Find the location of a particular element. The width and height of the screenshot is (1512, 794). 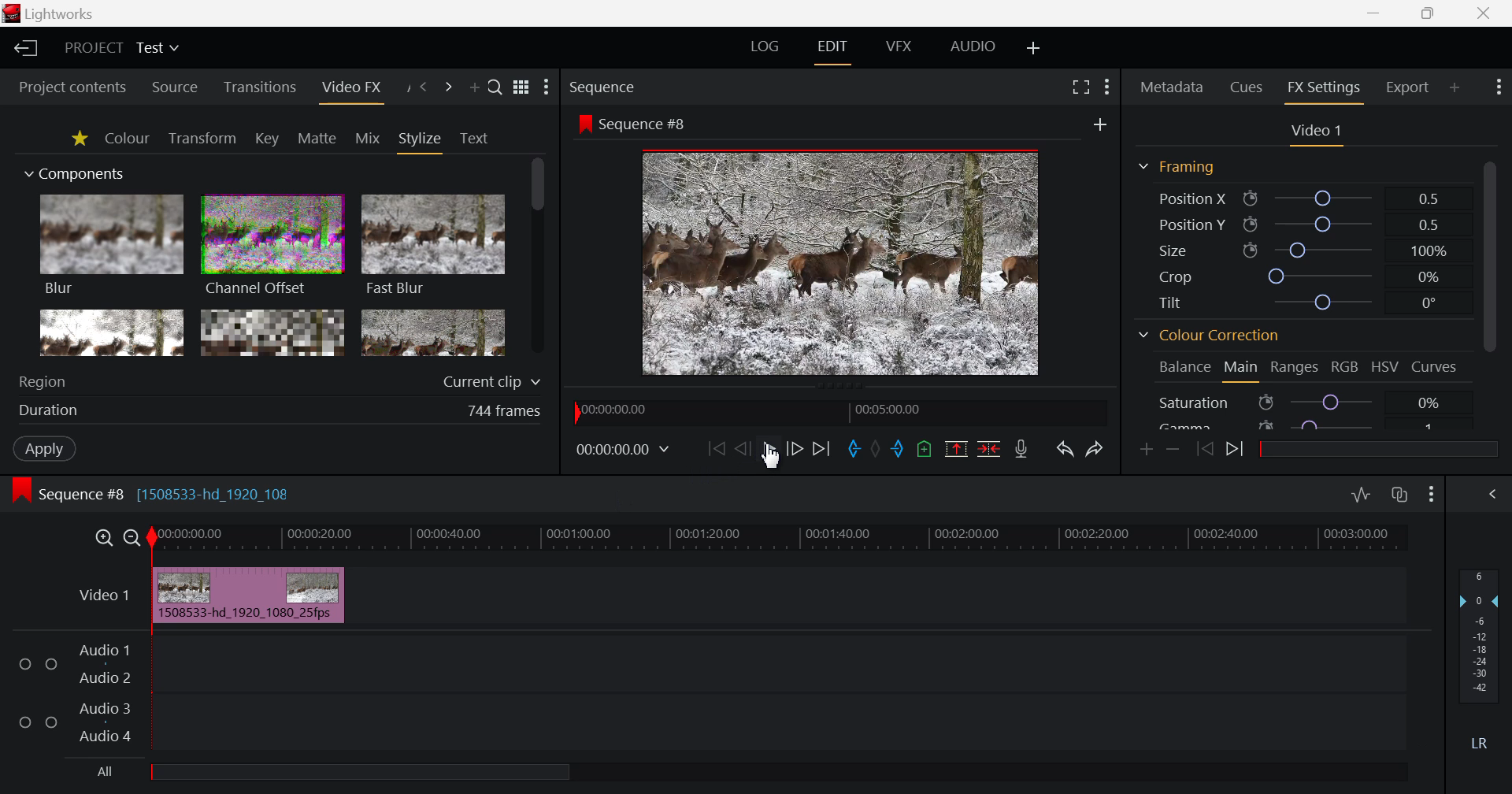

Preview Section Screen is located at coordinates (846, 246).